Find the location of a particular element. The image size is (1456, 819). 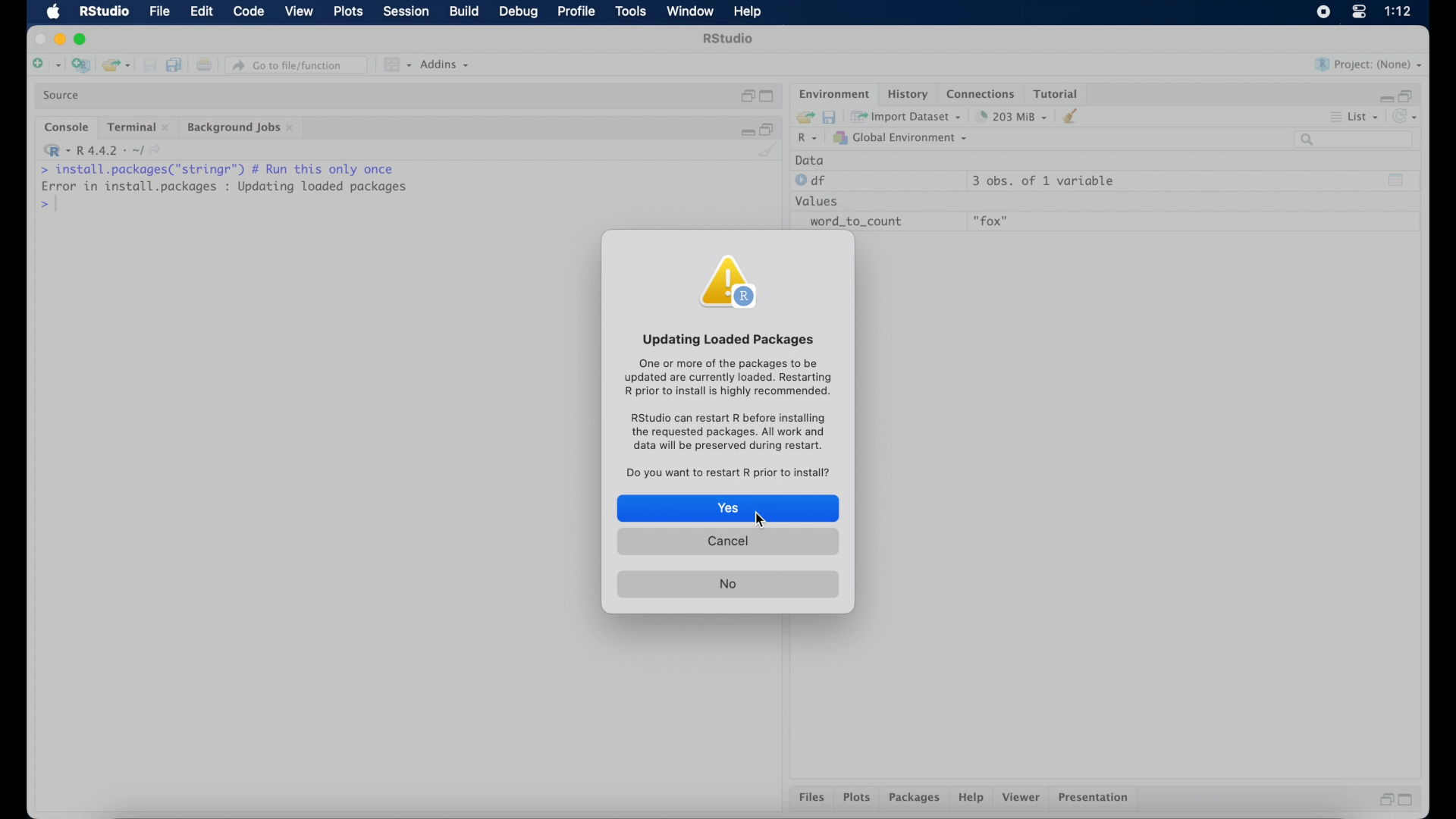

viewer is located at coordinates (1022, 798).